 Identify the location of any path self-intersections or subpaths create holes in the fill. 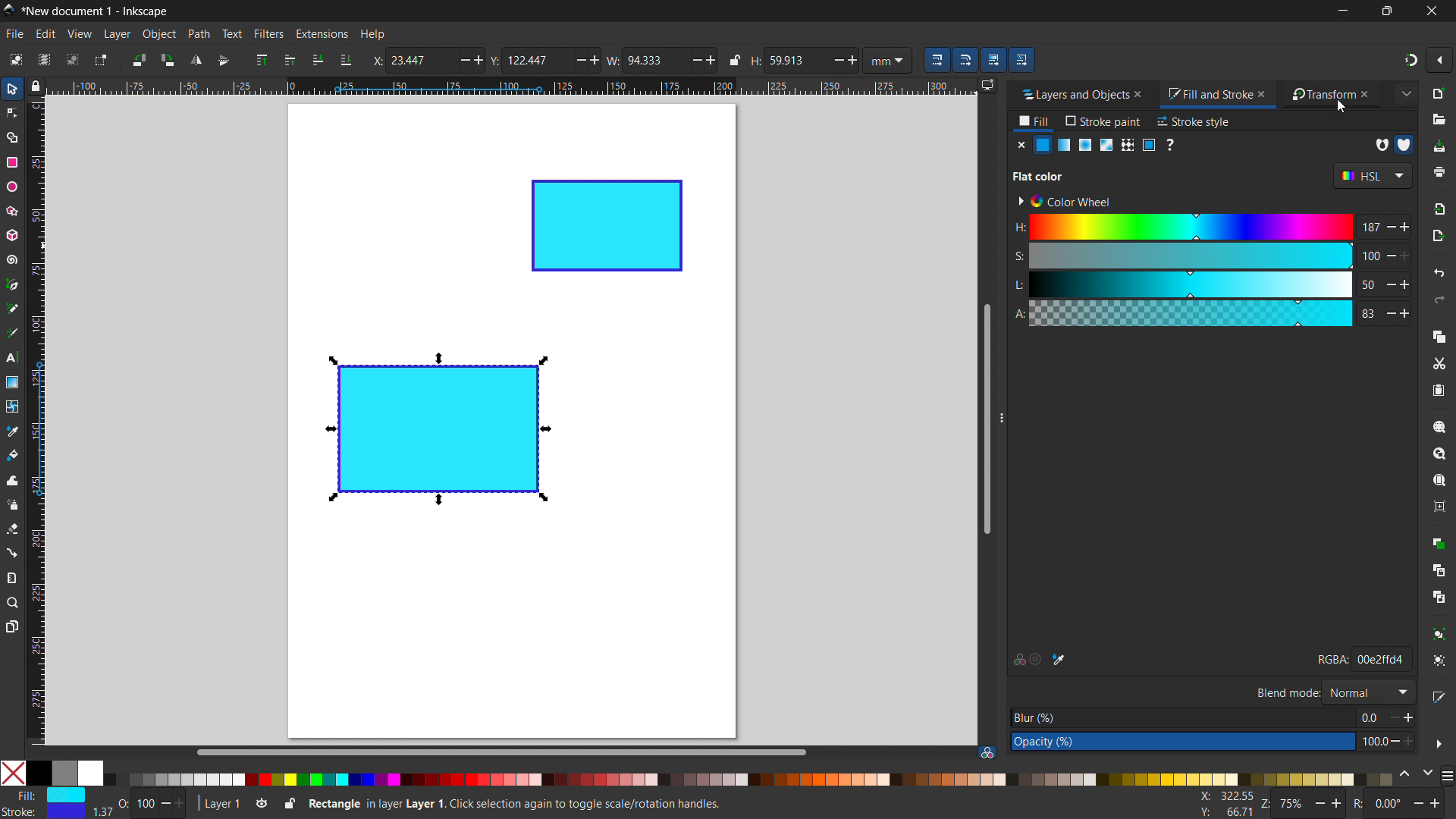
(1381, 145).